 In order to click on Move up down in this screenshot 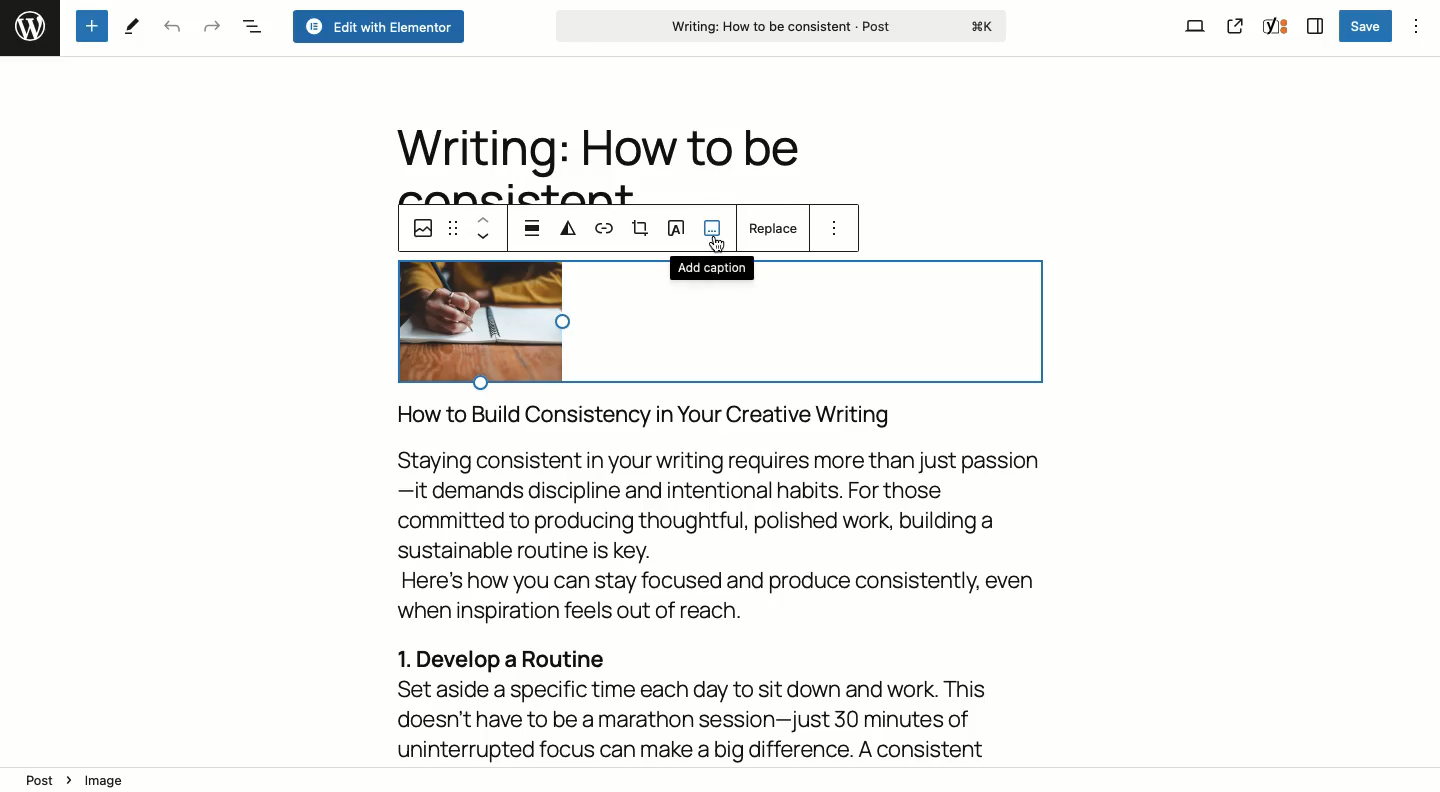, I will do `click(485, 229)`.